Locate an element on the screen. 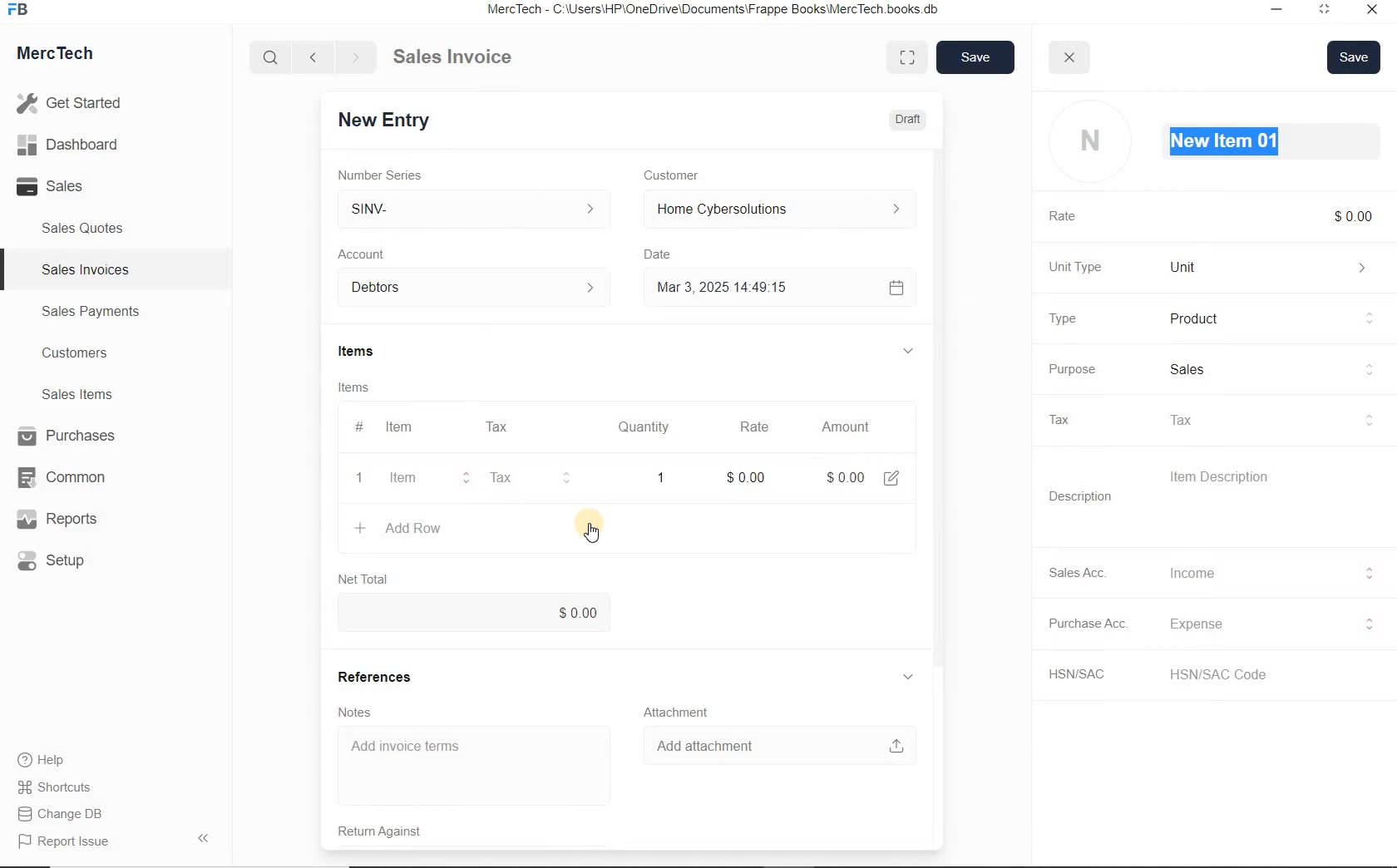 This screenshot has height=868, width=1397. Customer is located at coordinates (680, 175).